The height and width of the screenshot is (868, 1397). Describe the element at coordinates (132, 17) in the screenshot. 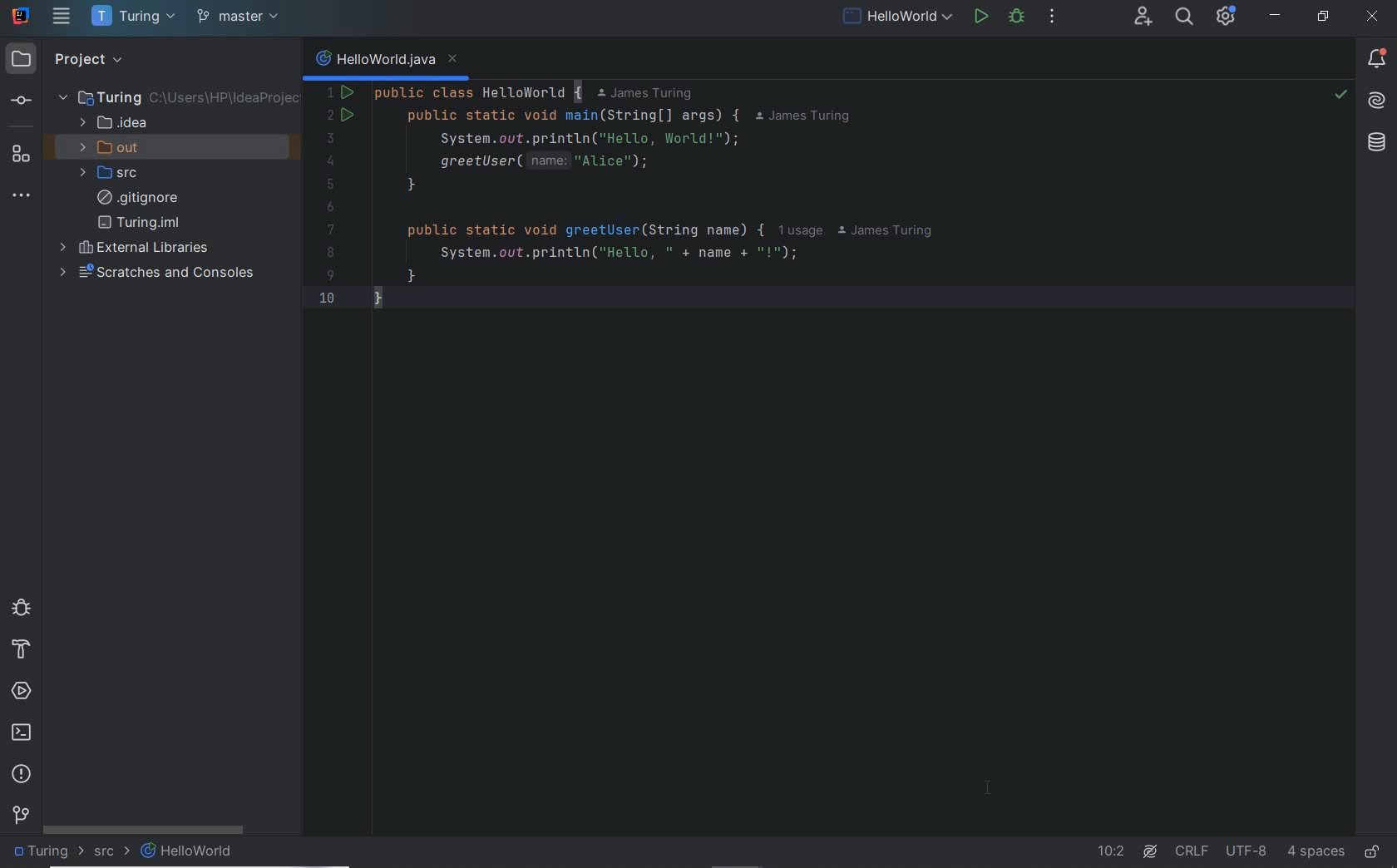

I see `Turing(project name)` at that location.